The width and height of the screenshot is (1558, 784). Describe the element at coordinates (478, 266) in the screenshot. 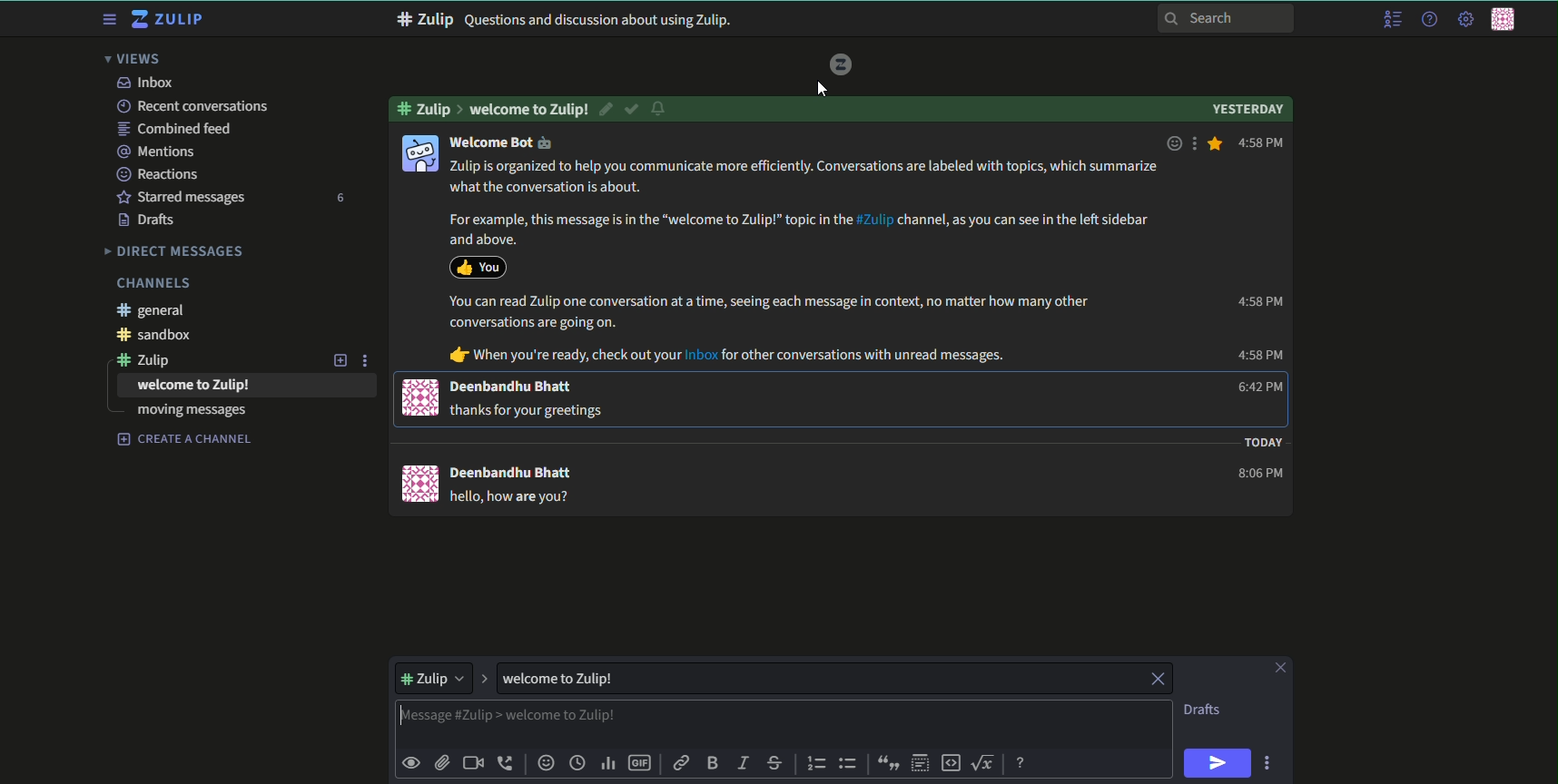

I see `icon` at that location.